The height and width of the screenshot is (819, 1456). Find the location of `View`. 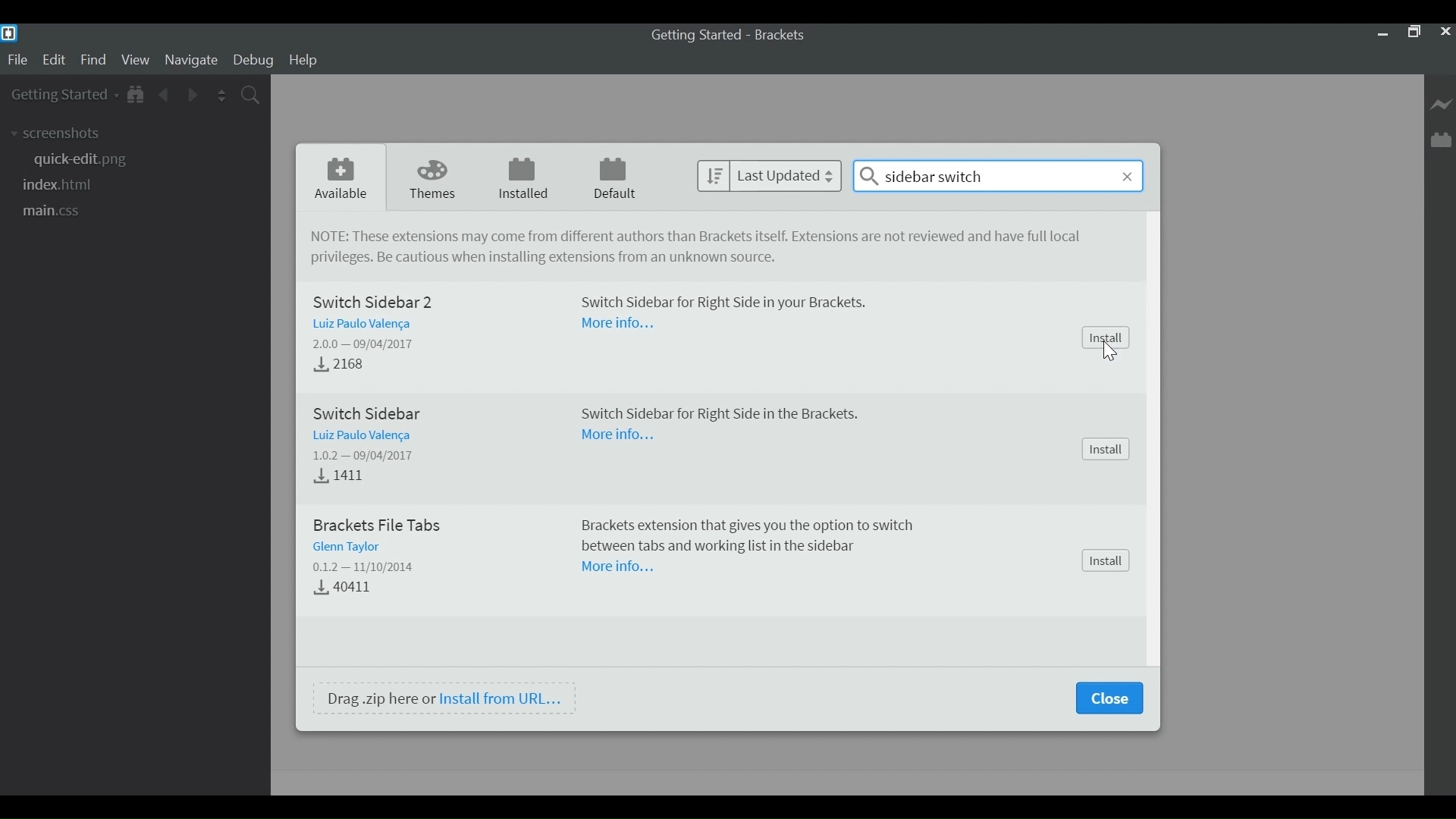

View is located at coordinates (136, 61).